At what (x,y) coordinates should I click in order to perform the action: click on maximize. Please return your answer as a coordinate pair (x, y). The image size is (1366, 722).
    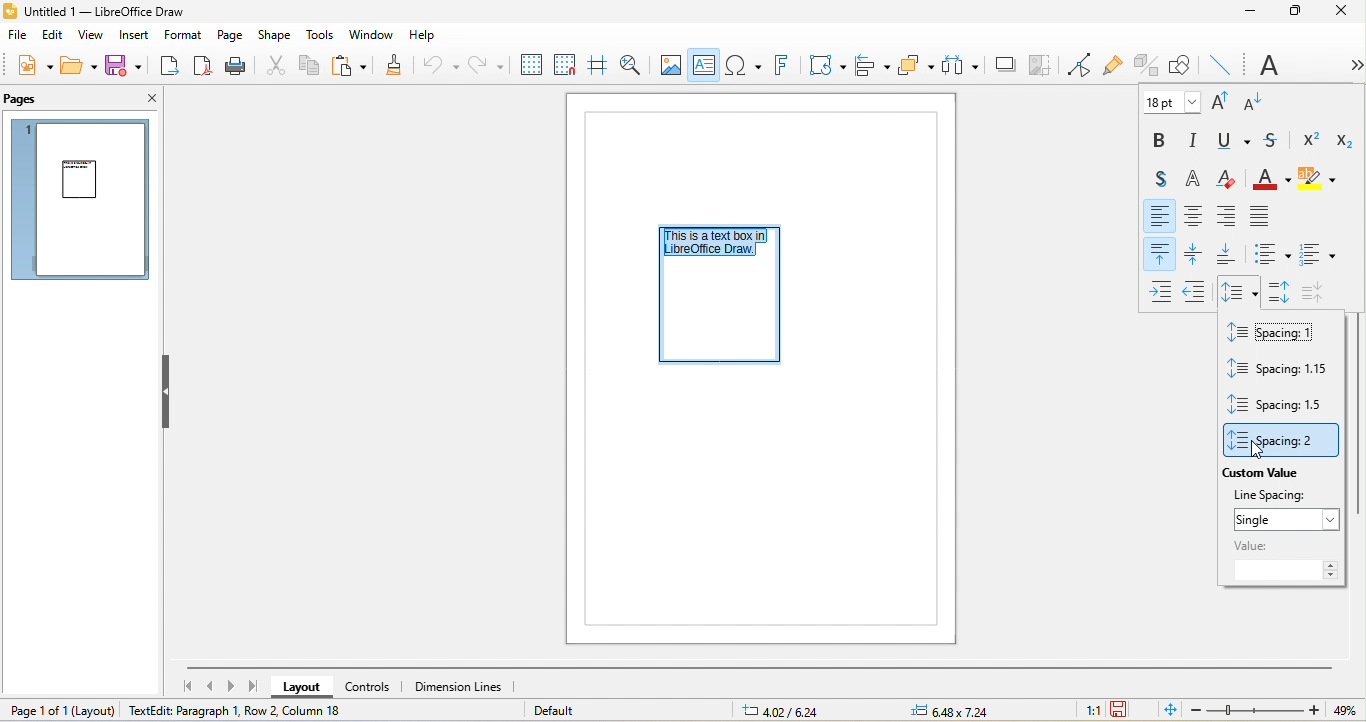
    Looking at the image, I should click on (1298, 12).